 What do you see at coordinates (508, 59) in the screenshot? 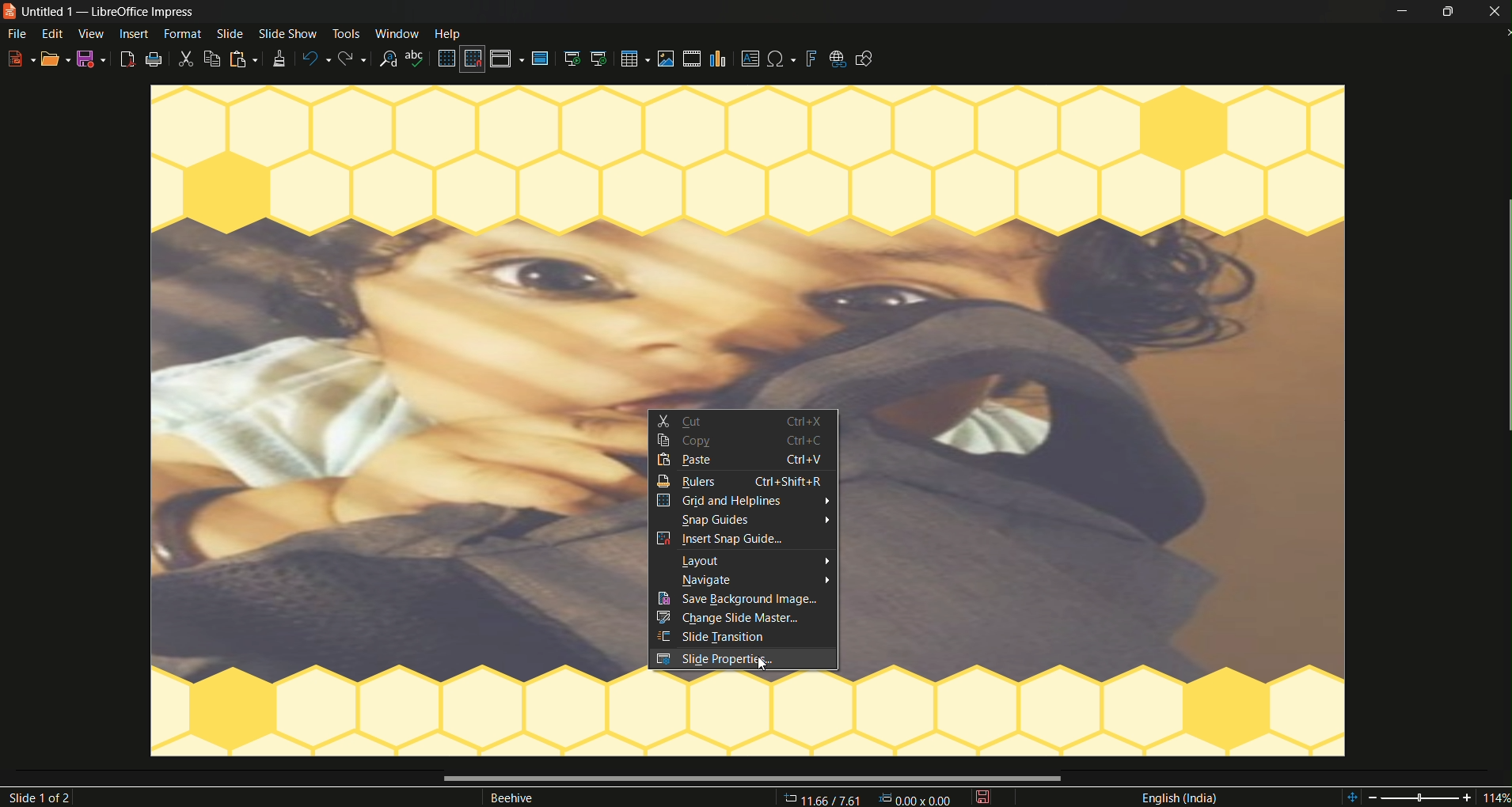
I see `display views` at bounding box center [508, 59].